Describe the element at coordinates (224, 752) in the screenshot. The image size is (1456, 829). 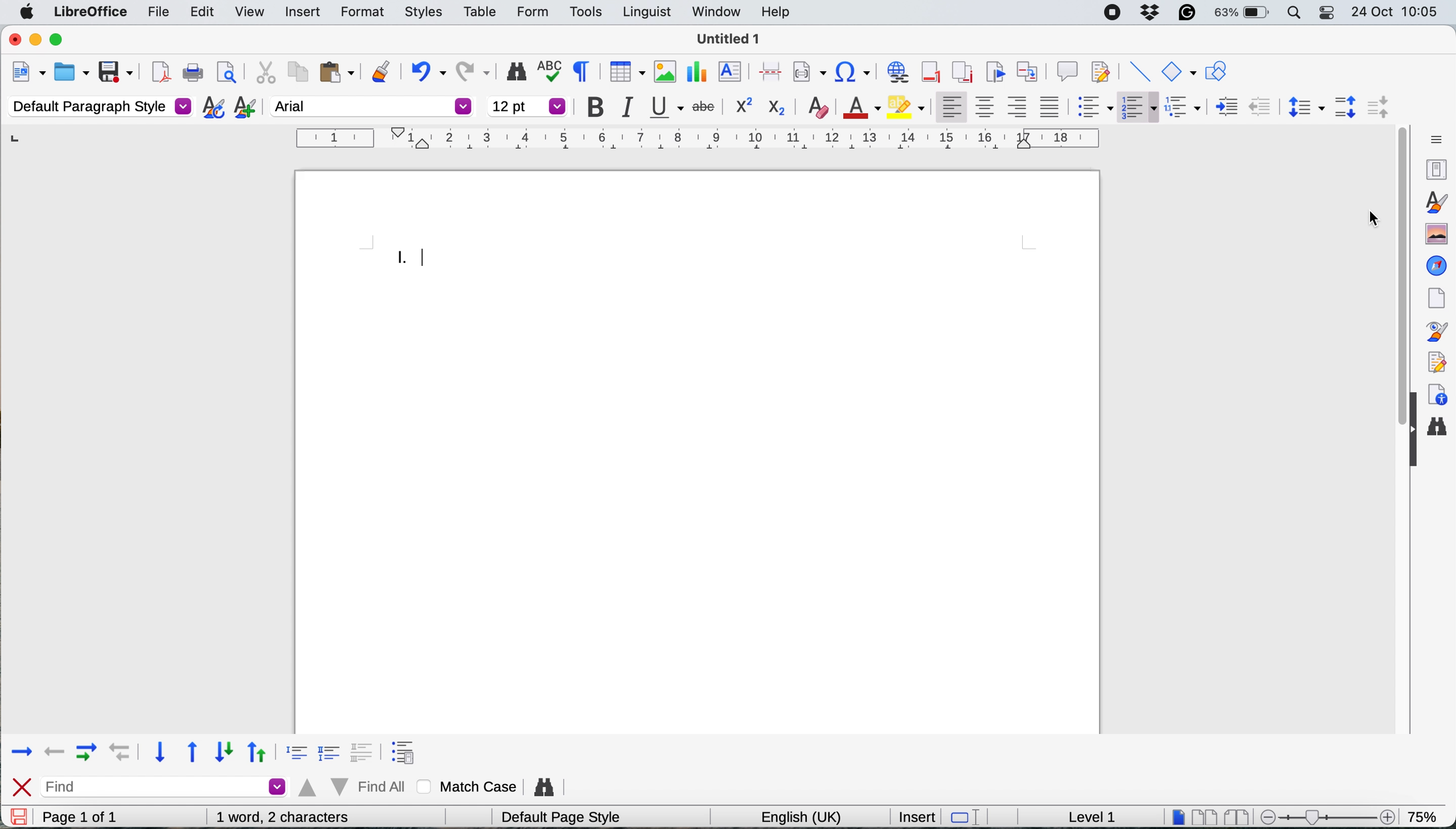
I see `down` at that location.